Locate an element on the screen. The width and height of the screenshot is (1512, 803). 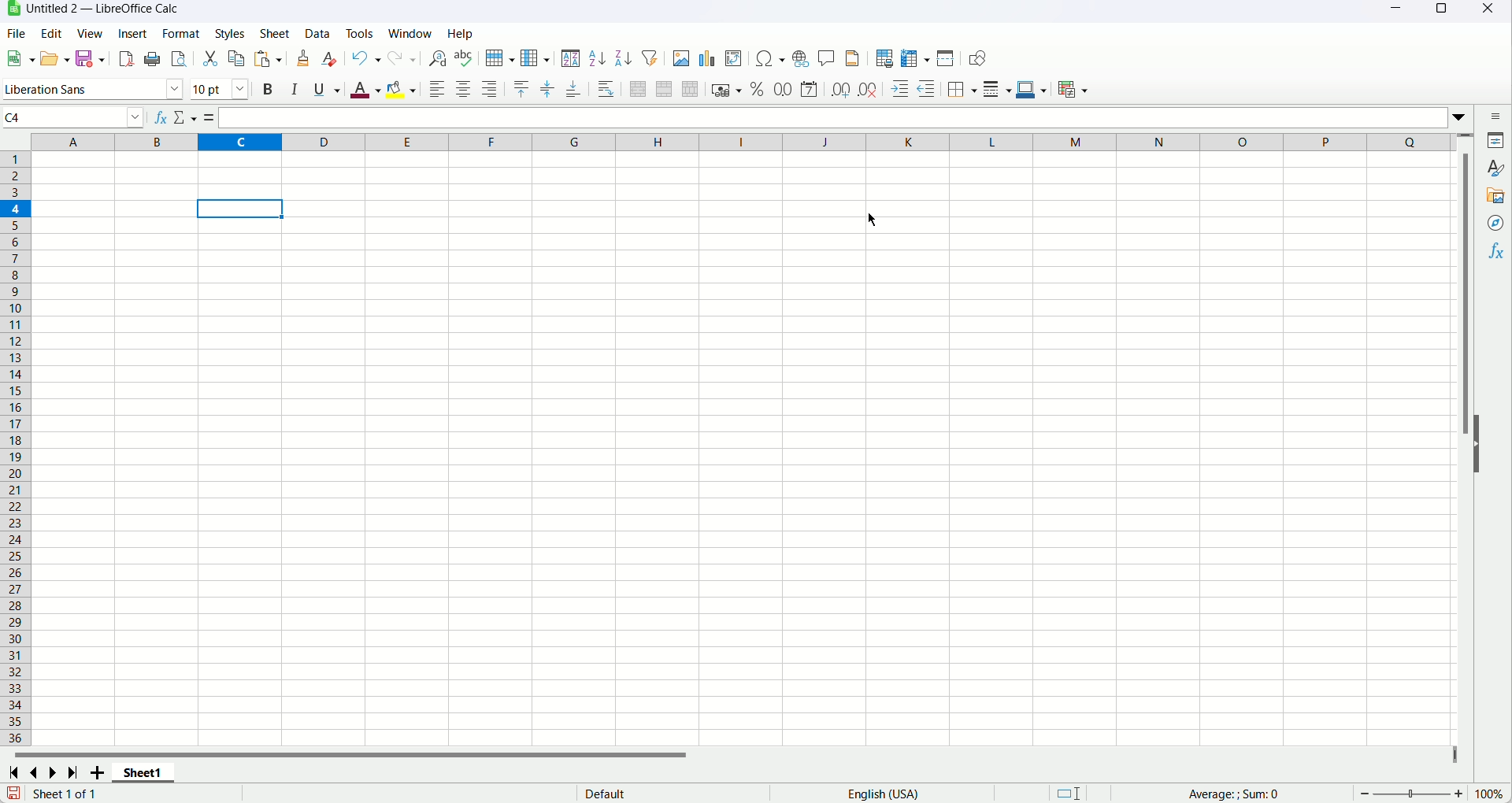
Sheet name is located at coordinates (143, 773).